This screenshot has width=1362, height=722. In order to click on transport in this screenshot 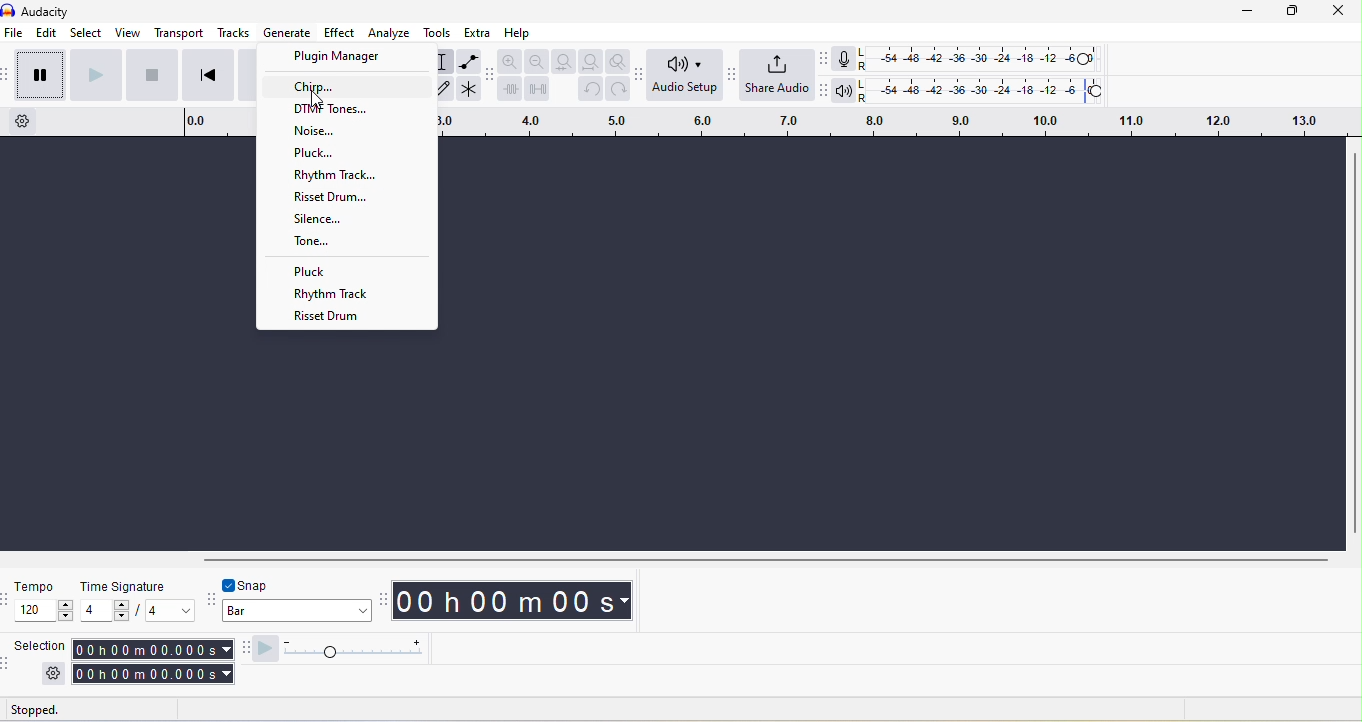, I will do `click(181, 34)`.